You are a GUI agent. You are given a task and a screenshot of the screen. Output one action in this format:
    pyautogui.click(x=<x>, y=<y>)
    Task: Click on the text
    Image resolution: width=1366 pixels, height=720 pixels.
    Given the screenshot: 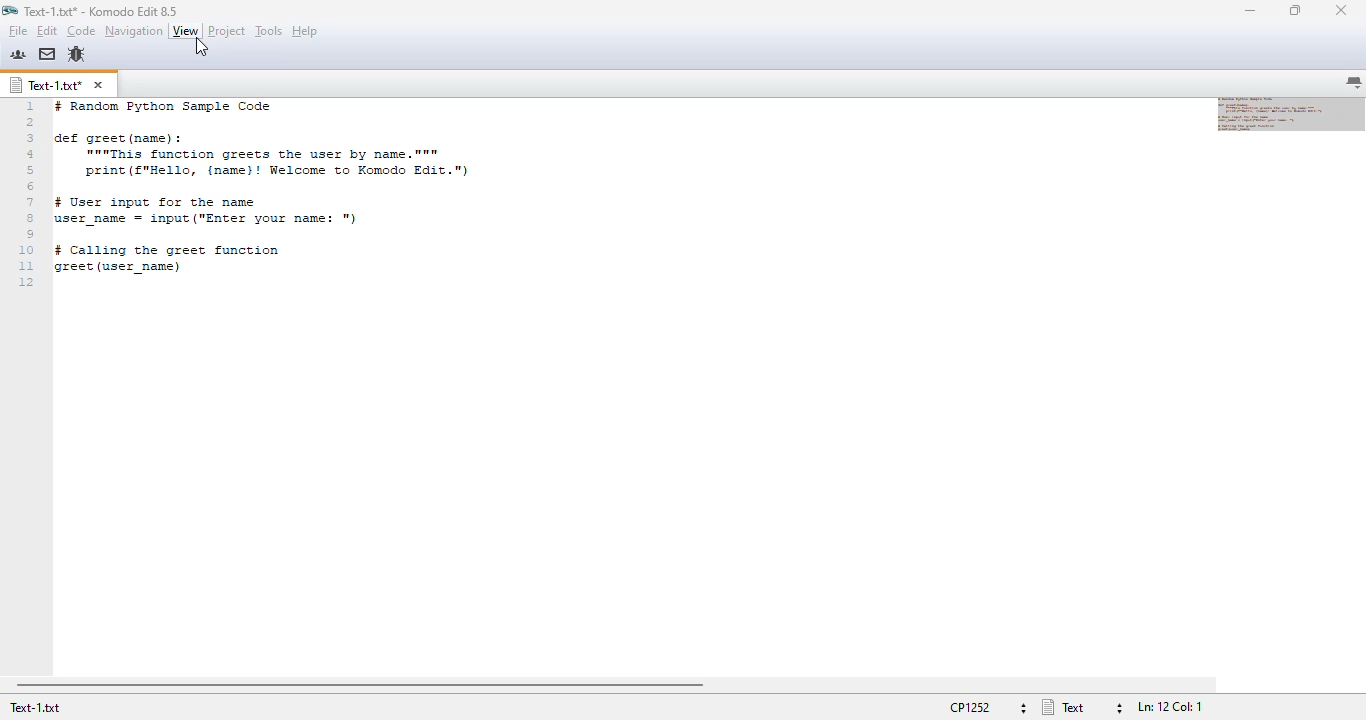 What is the action you would take?
    pyautogui.click(x=272, y=193)
    